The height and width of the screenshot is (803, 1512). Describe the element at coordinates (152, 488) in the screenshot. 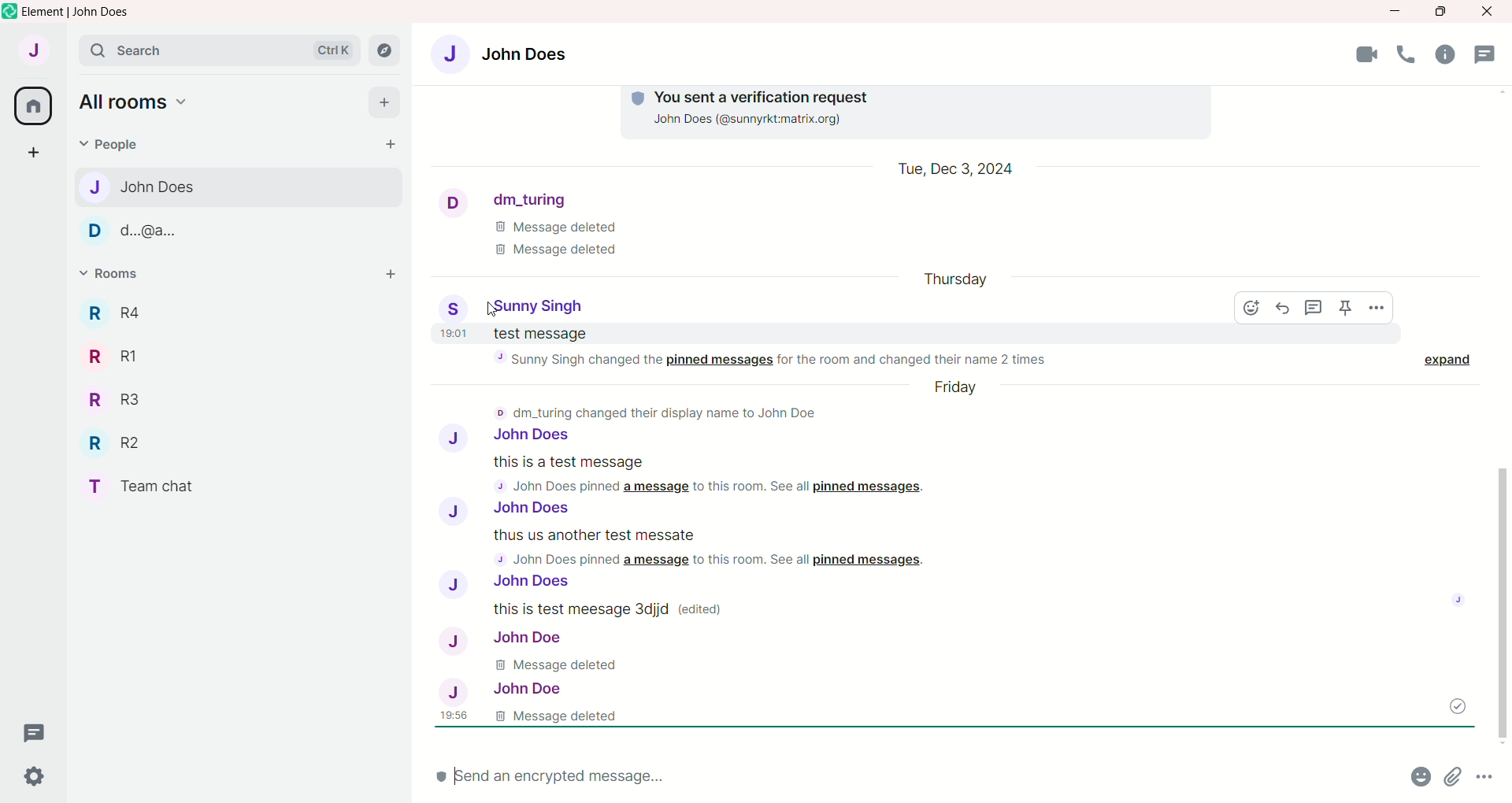

I see `team chat` at that location.